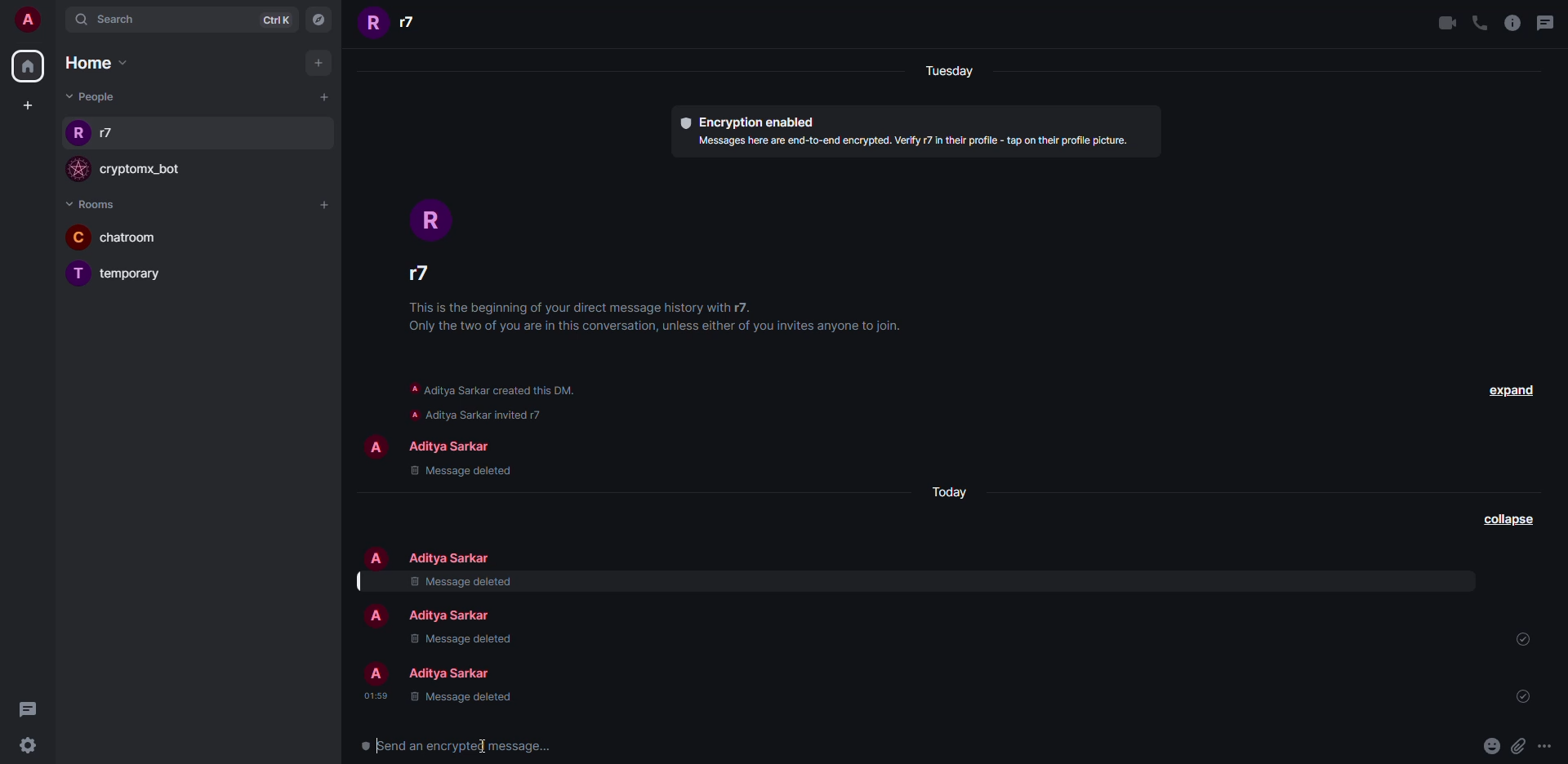 Image resolution: width=1568 pixels, height=764 pixels. Describe the element at coordinates (1479, 23) in the screenshot. I see `voice call` at that location.